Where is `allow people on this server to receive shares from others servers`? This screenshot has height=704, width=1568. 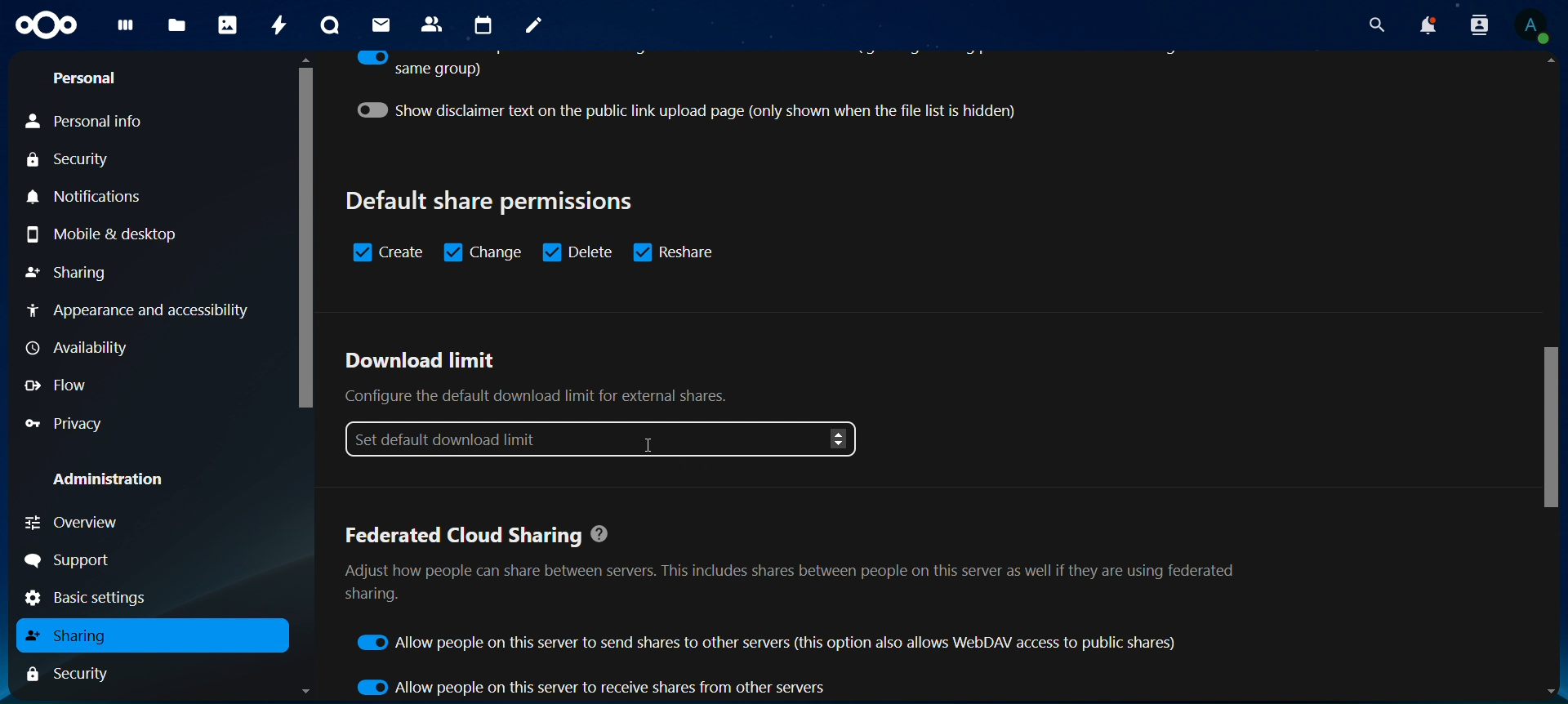 allow people on this server to receive shares from others servers is located at coordinates (593, 686).